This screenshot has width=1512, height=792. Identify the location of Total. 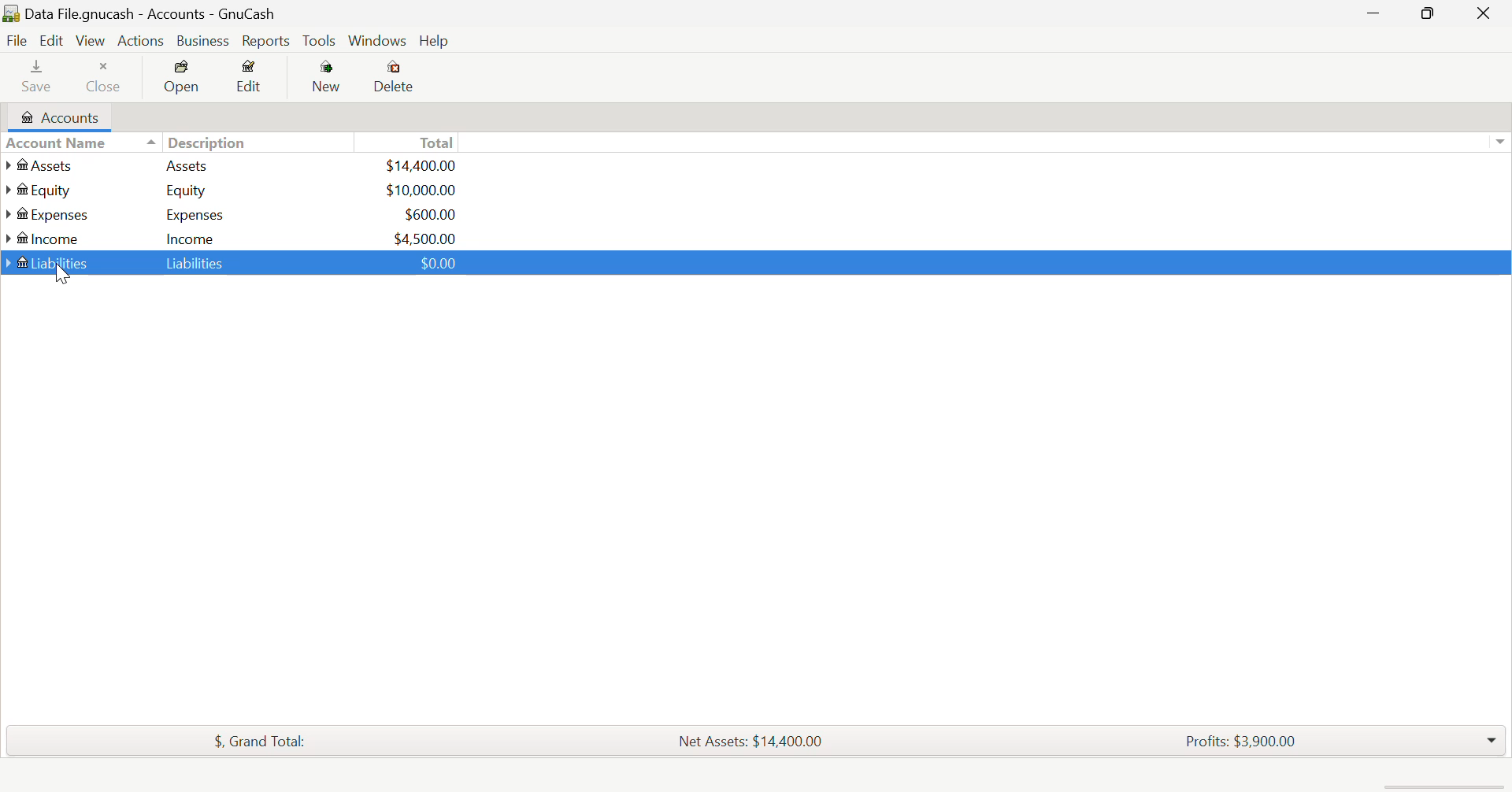
(251, 738).